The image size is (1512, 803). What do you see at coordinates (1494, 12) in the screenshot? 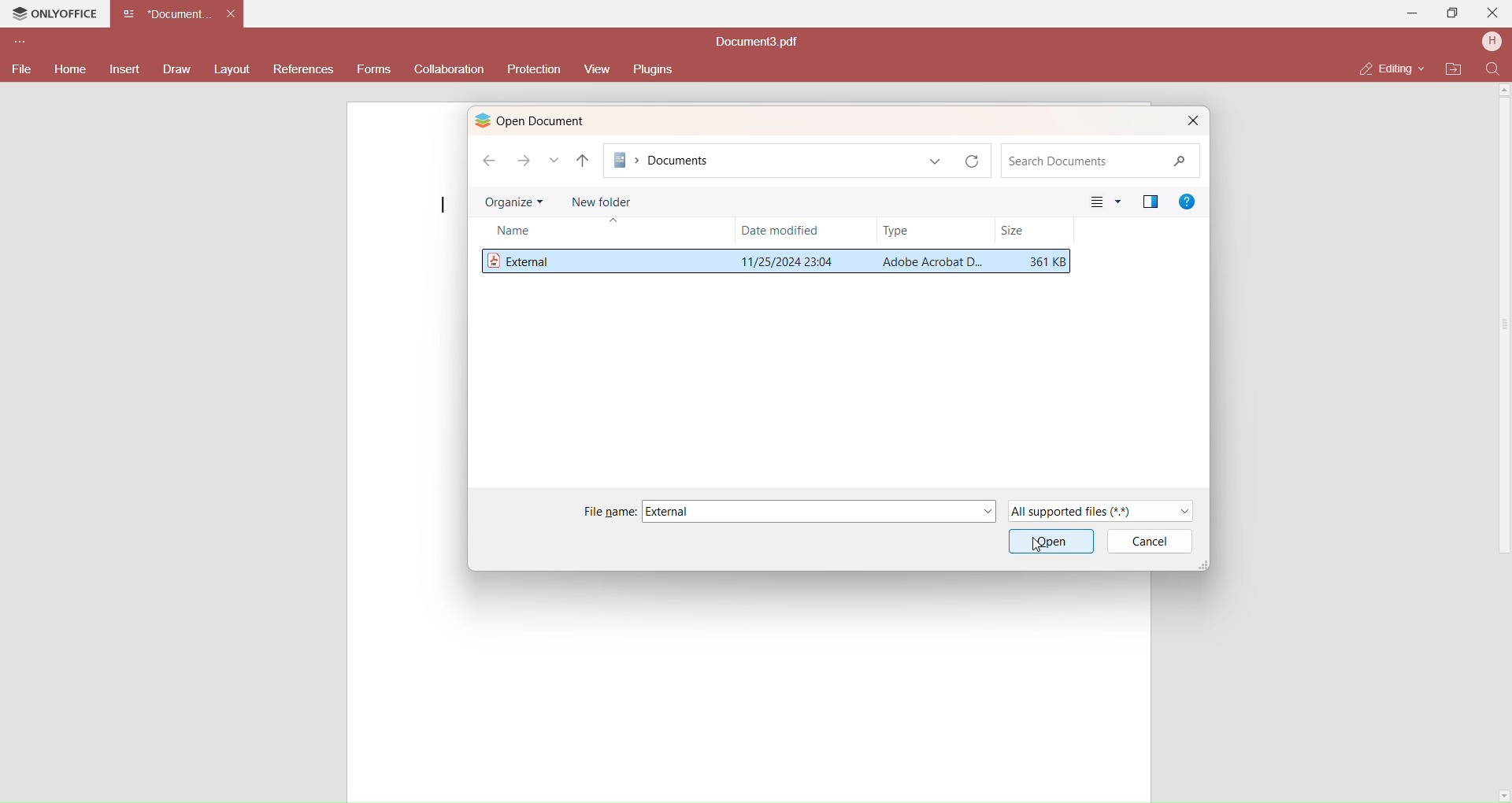
I see `Close` at bounding box center [1494, 12].